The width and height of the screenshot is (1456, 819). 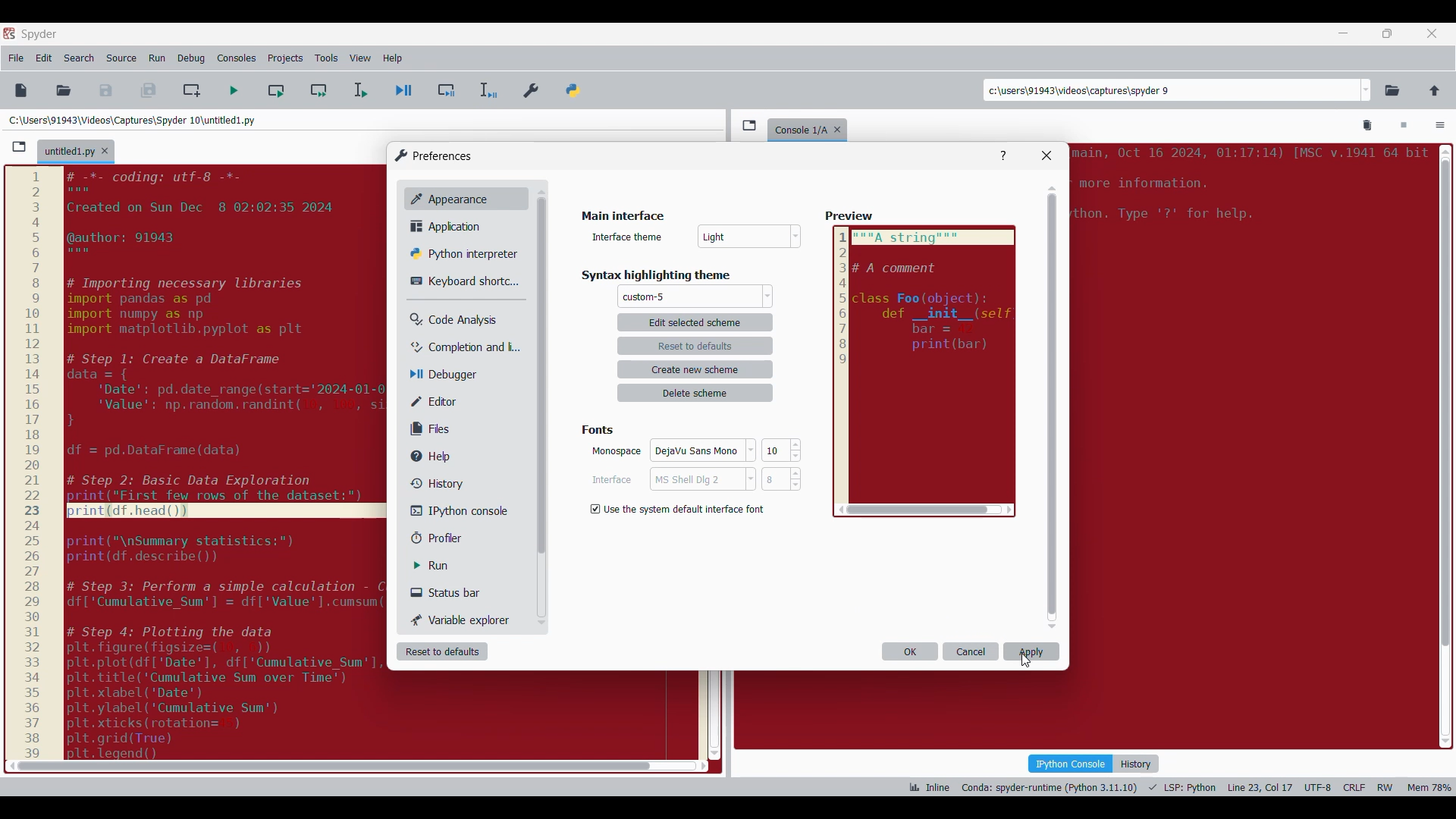 I want to click on Window logo and title, so click(x=434, y=155).